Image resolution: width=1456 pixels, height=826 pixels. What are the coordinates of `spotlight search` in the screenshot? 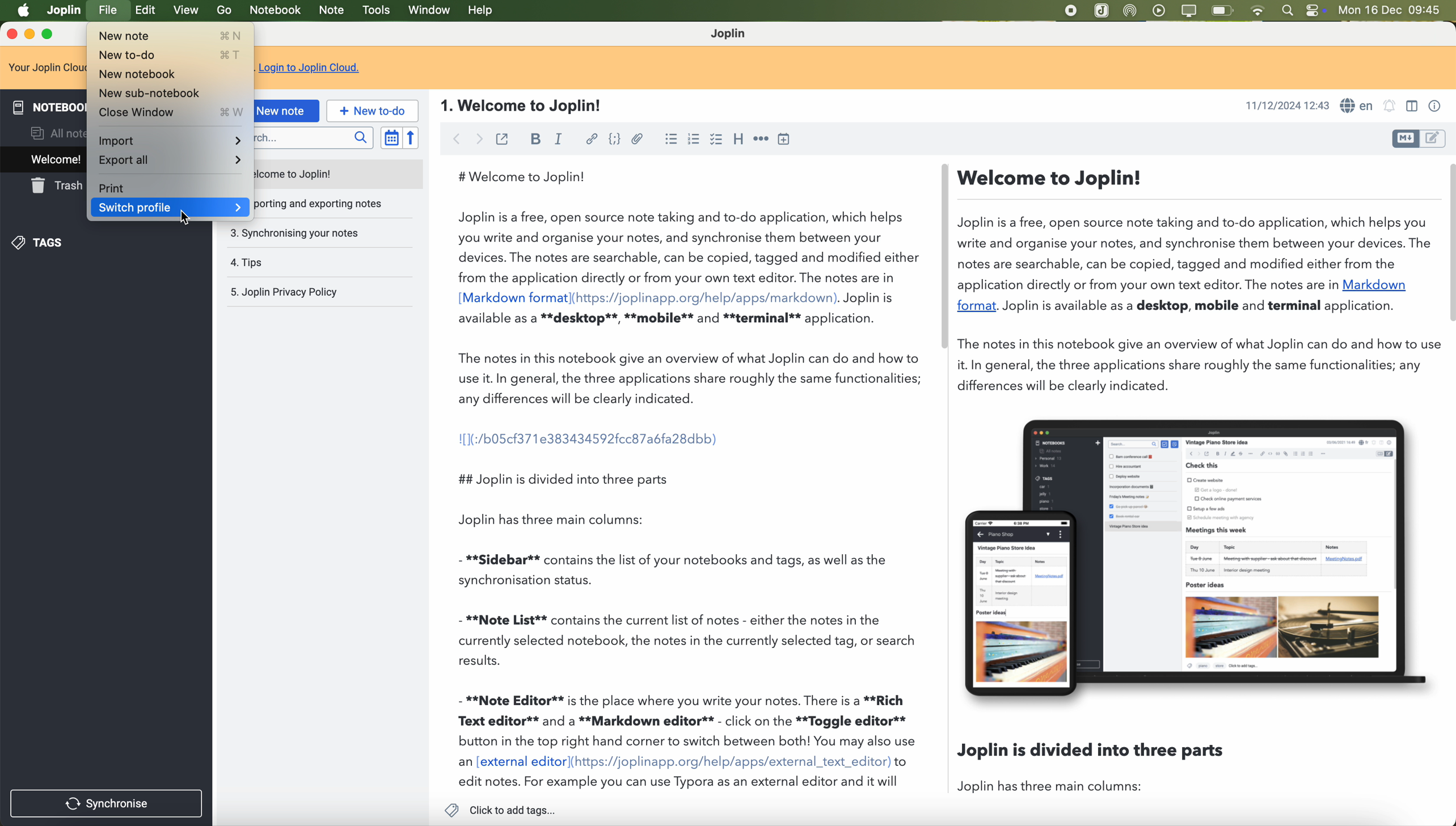 It's located at (1289, 10).